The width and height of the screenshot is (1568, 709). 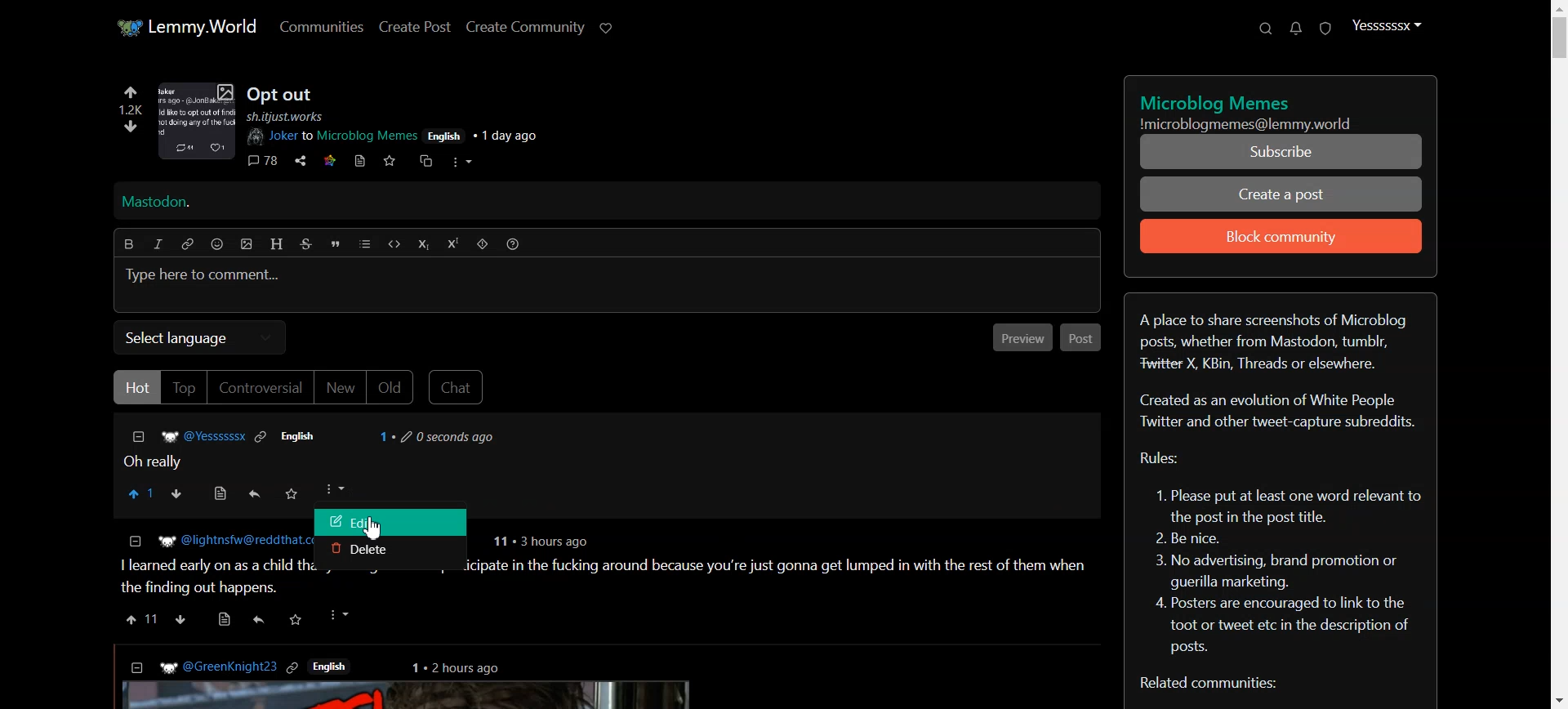 I want to click on Spoiler, so click(x=483, y=244).